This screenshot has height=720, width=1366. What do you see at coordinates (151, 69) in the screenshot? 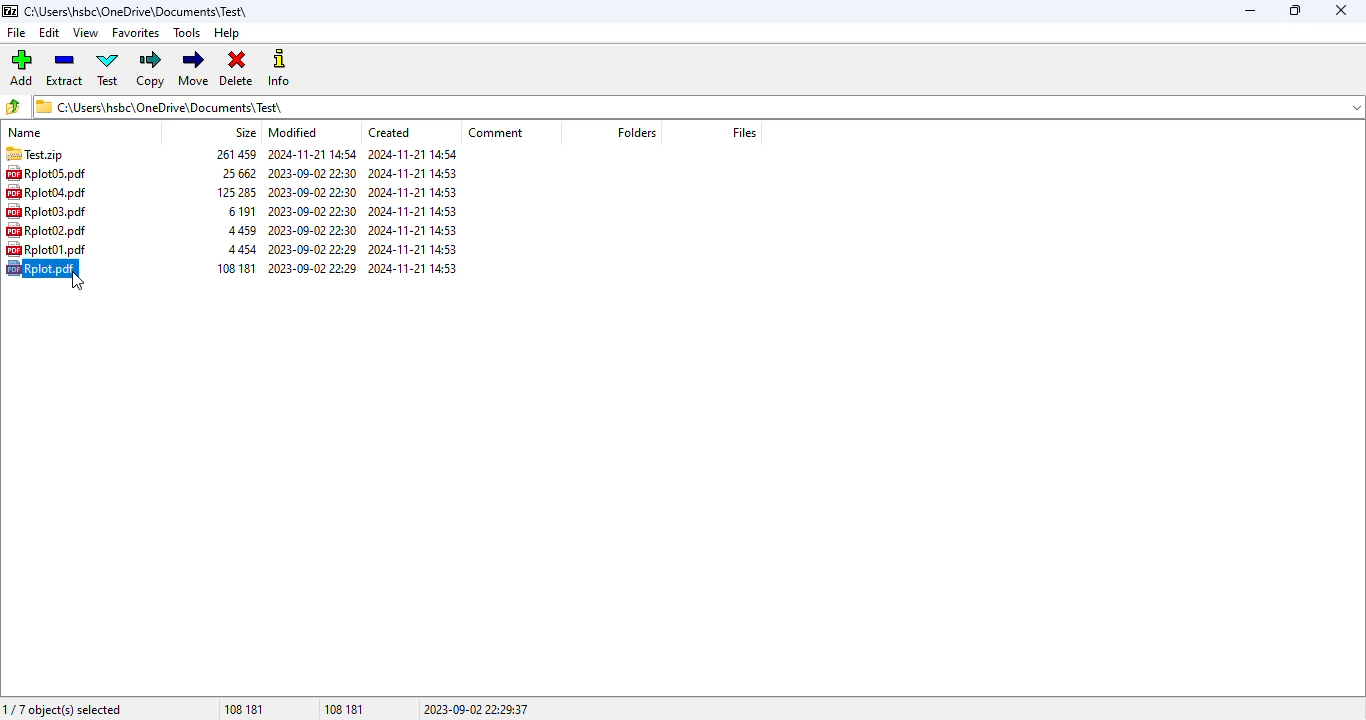
I see `copy` at bounding box center [151, 69].